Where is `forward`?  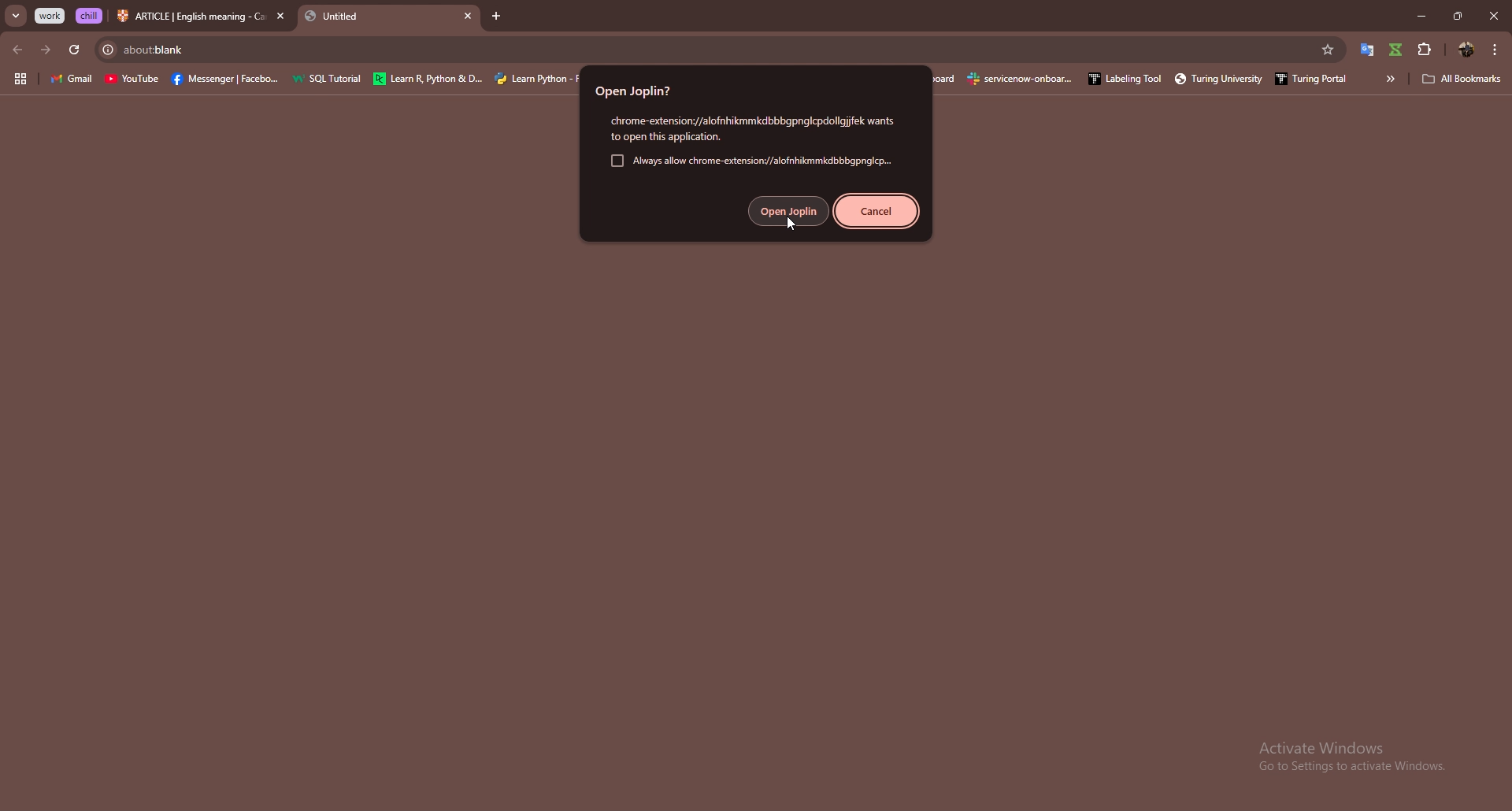 forward is located at coordinates (45, 51).